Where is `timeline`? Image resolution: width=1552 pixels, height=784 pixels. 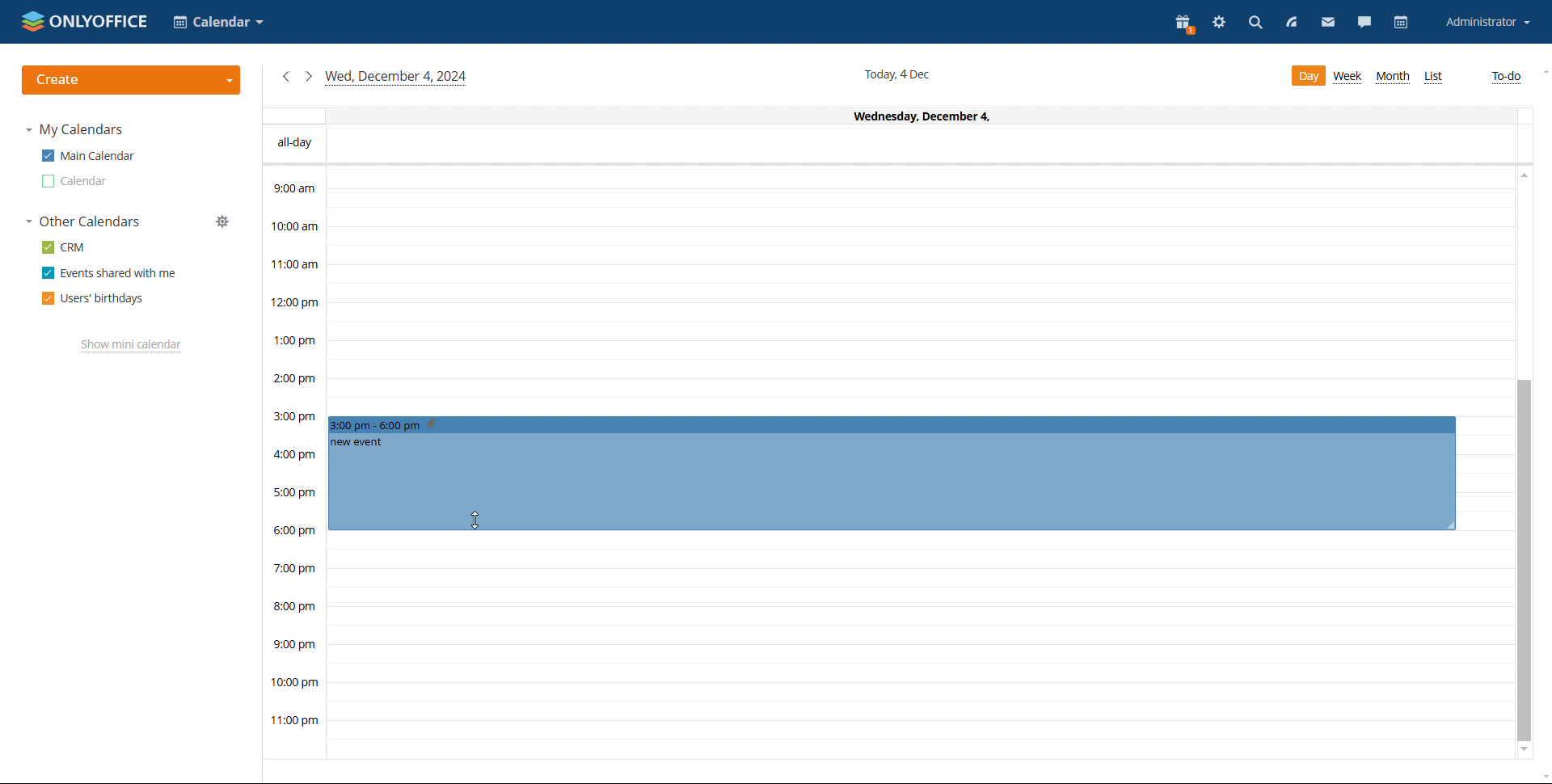 timeline is located at coordinates (293, 462).